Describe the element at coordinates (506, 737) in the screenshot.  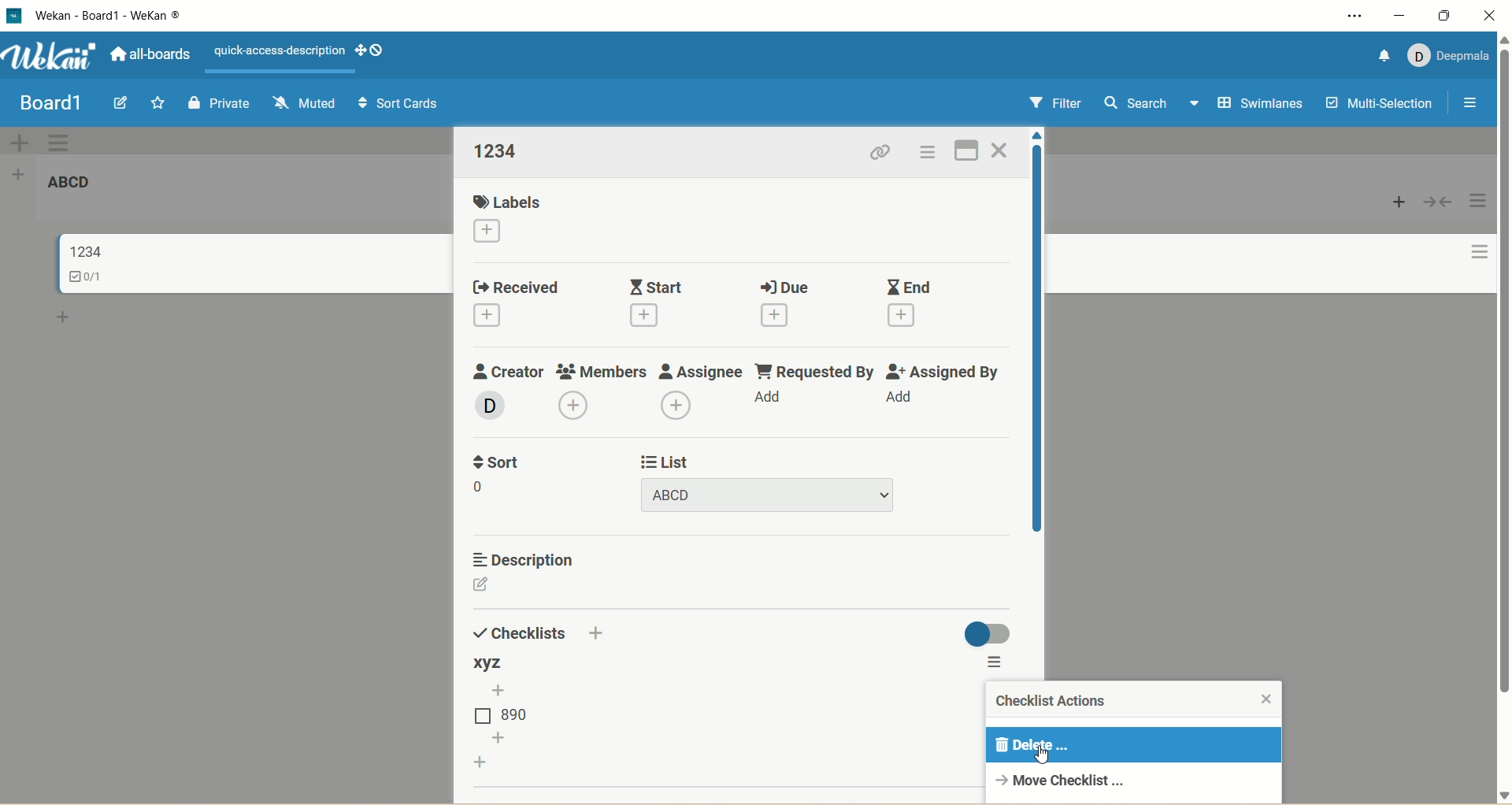
I see `add items` at that location.